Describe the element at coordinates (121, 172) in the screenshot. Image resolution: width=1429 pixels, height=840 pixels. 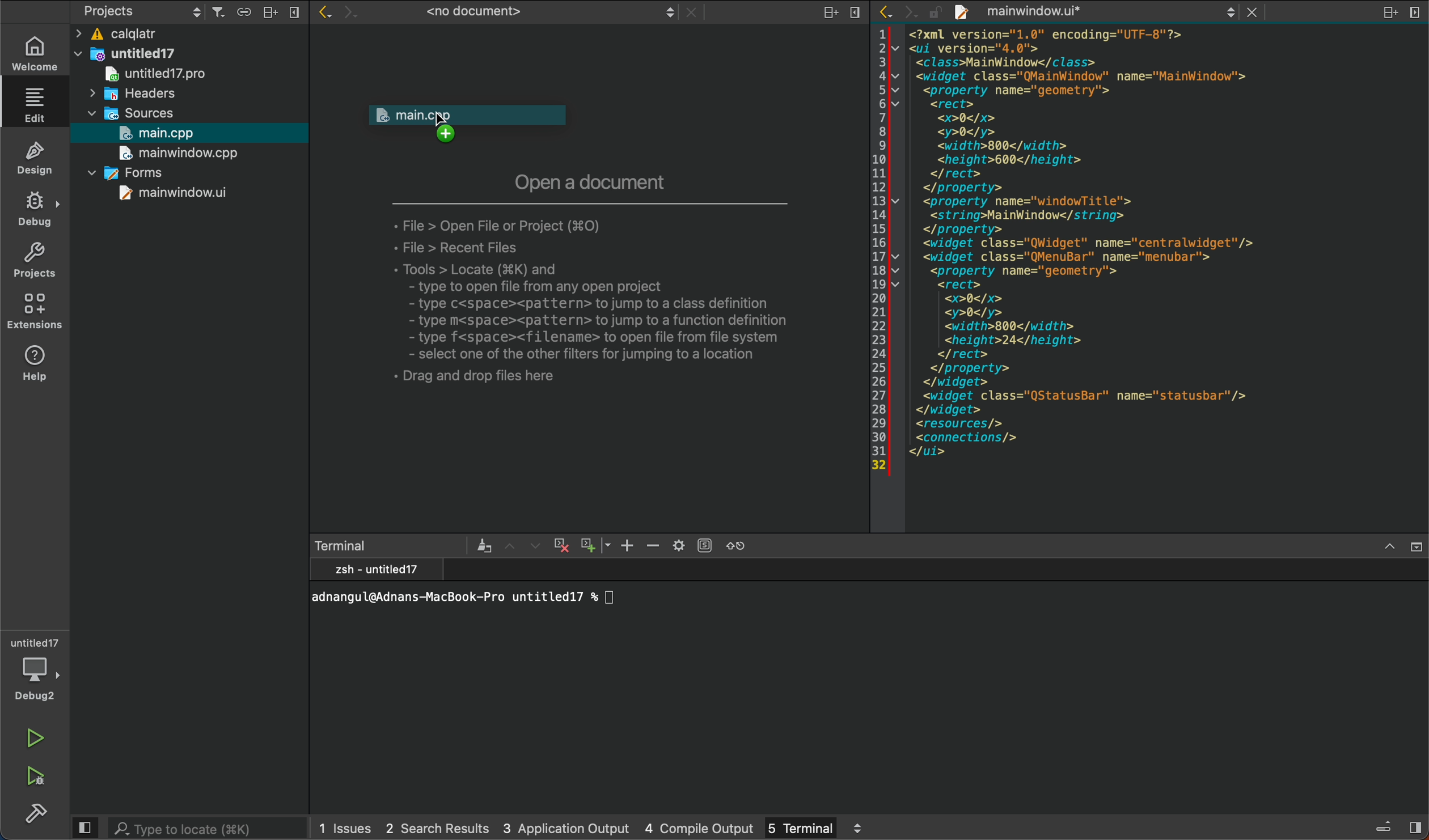
I see `forms` at that location.